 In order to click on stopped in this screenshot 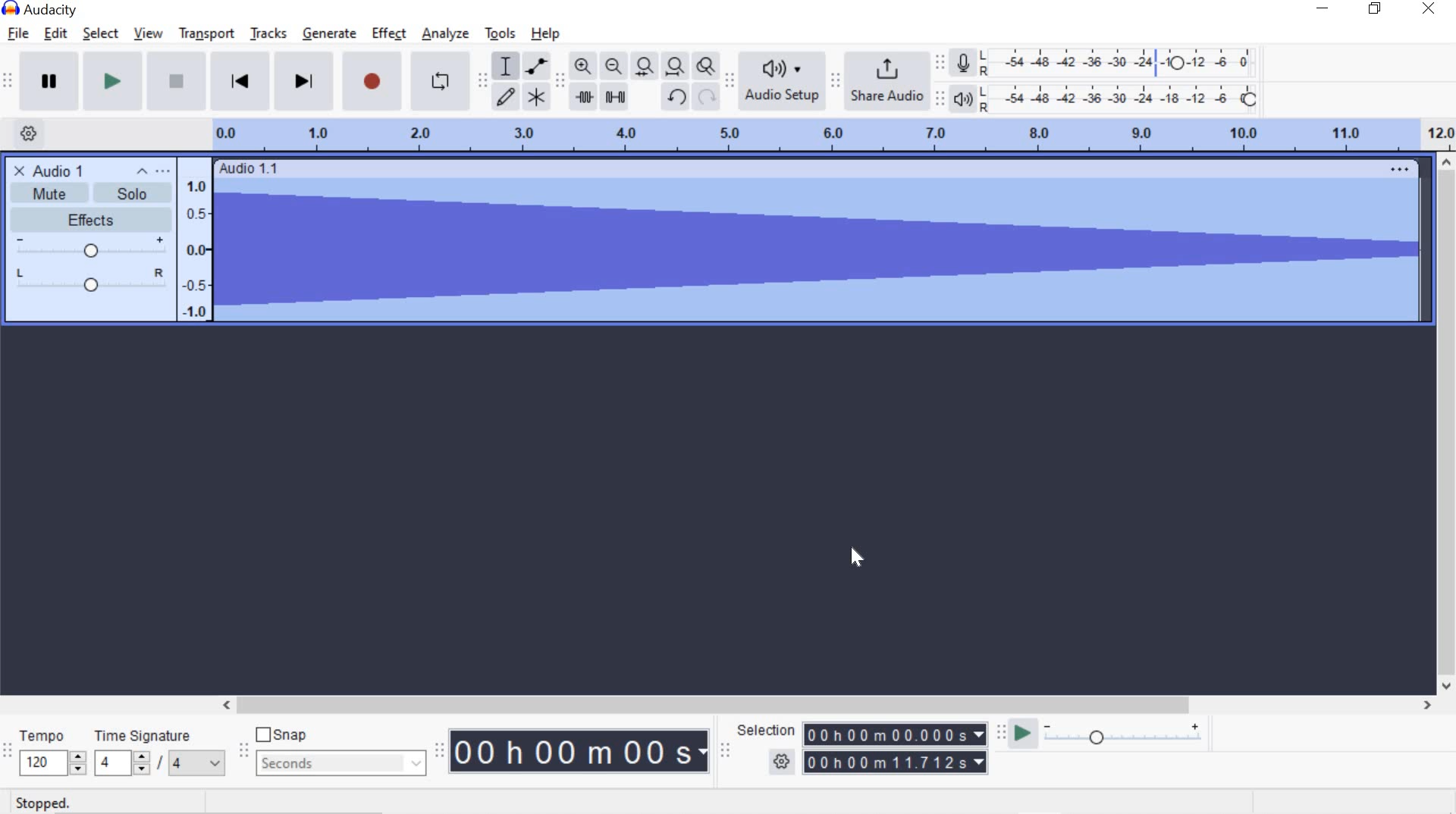, I will do `click(45, 803)`.